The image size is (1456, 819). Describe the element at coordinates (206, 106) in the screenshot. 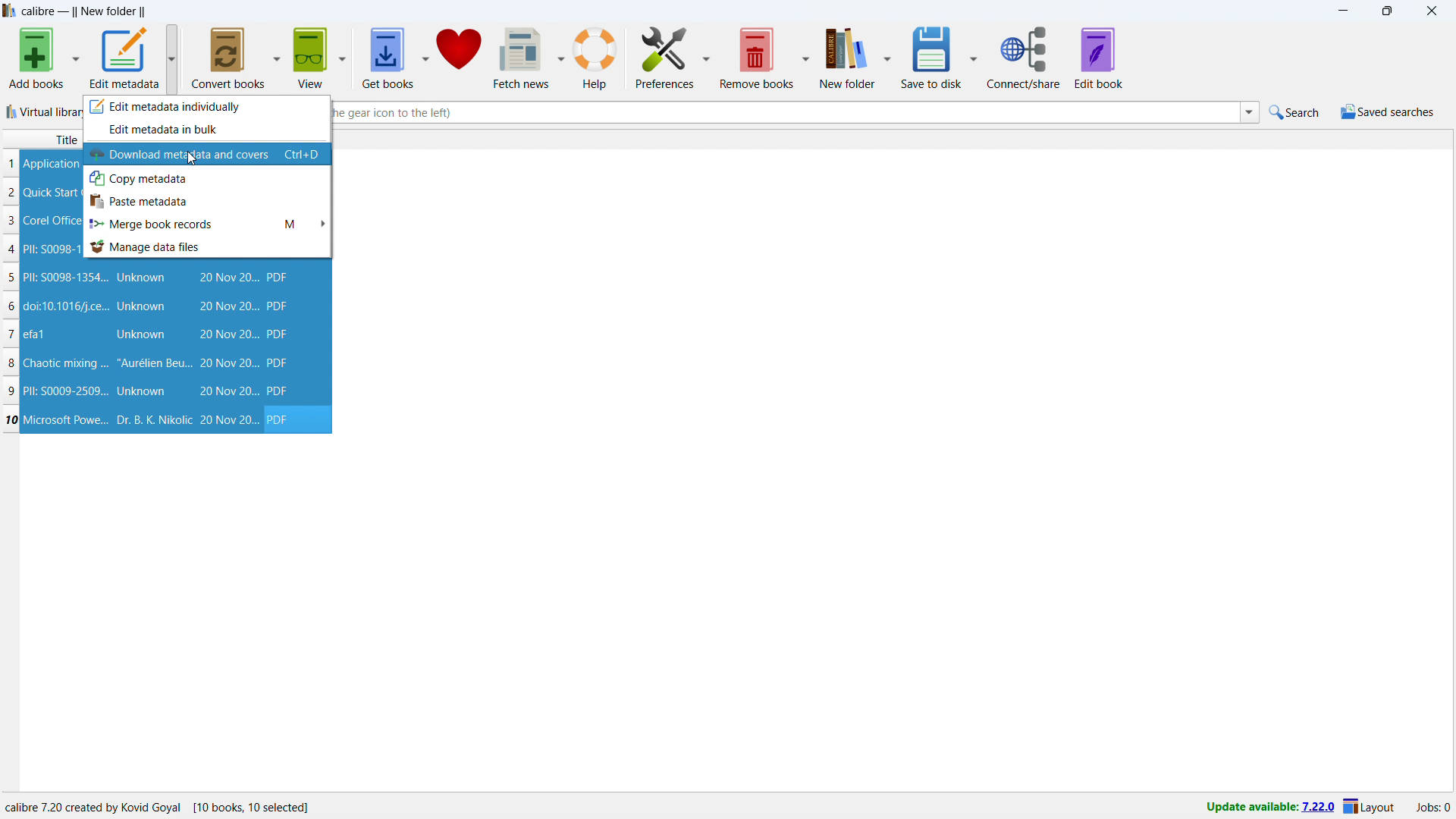

I see `edit metadata individually` at that location.